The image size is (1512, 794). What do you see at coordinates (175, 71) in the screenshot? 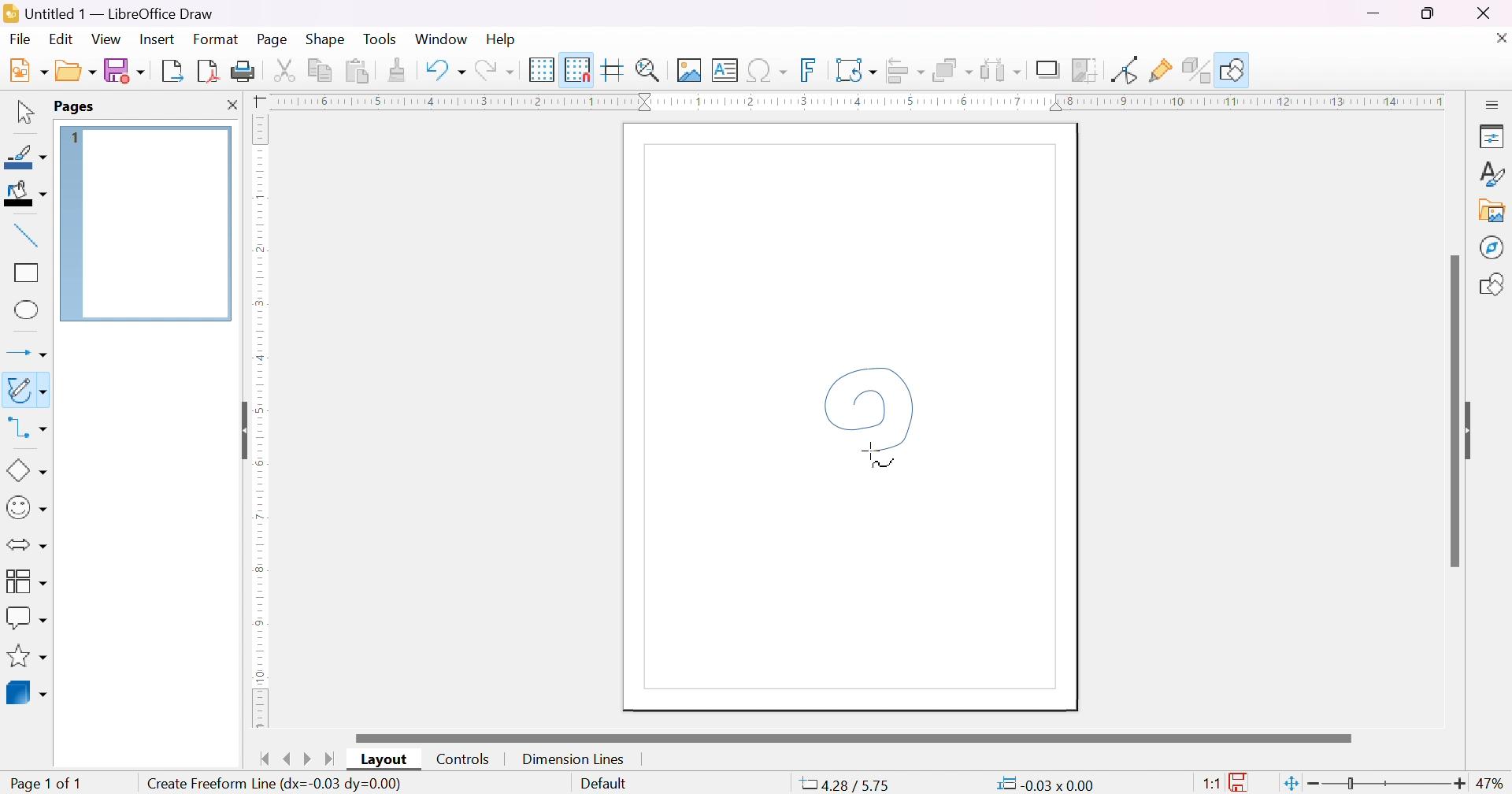
I see `export` at bounding box center [175, 71].